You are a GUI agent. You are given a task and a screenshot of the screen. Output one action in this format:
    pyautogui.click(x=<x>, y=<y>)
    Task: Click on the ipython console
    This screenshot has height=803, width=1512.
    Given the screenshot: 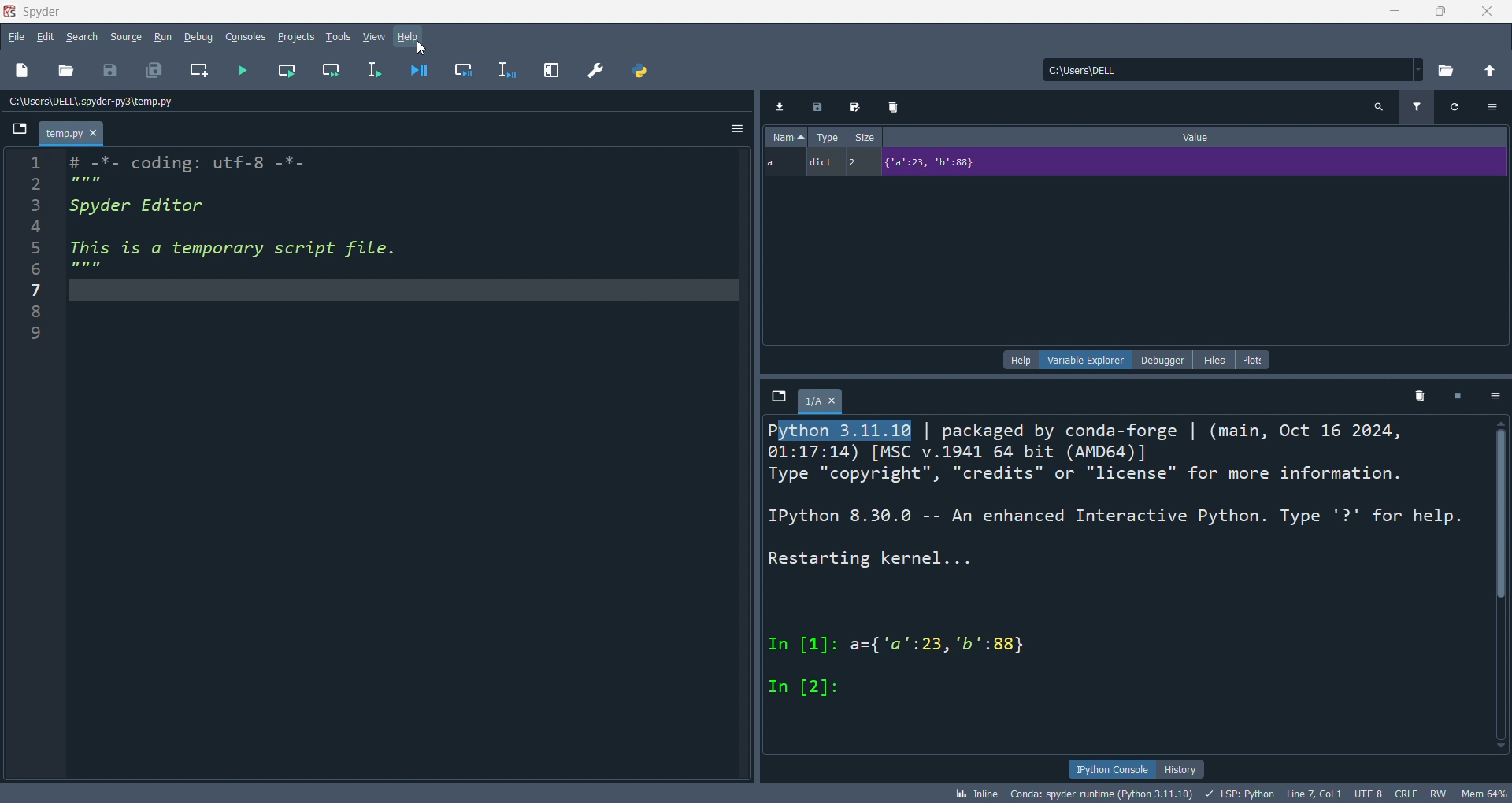 What is the action you would take?
    pyautogui.click(x=1110, y=768)
    